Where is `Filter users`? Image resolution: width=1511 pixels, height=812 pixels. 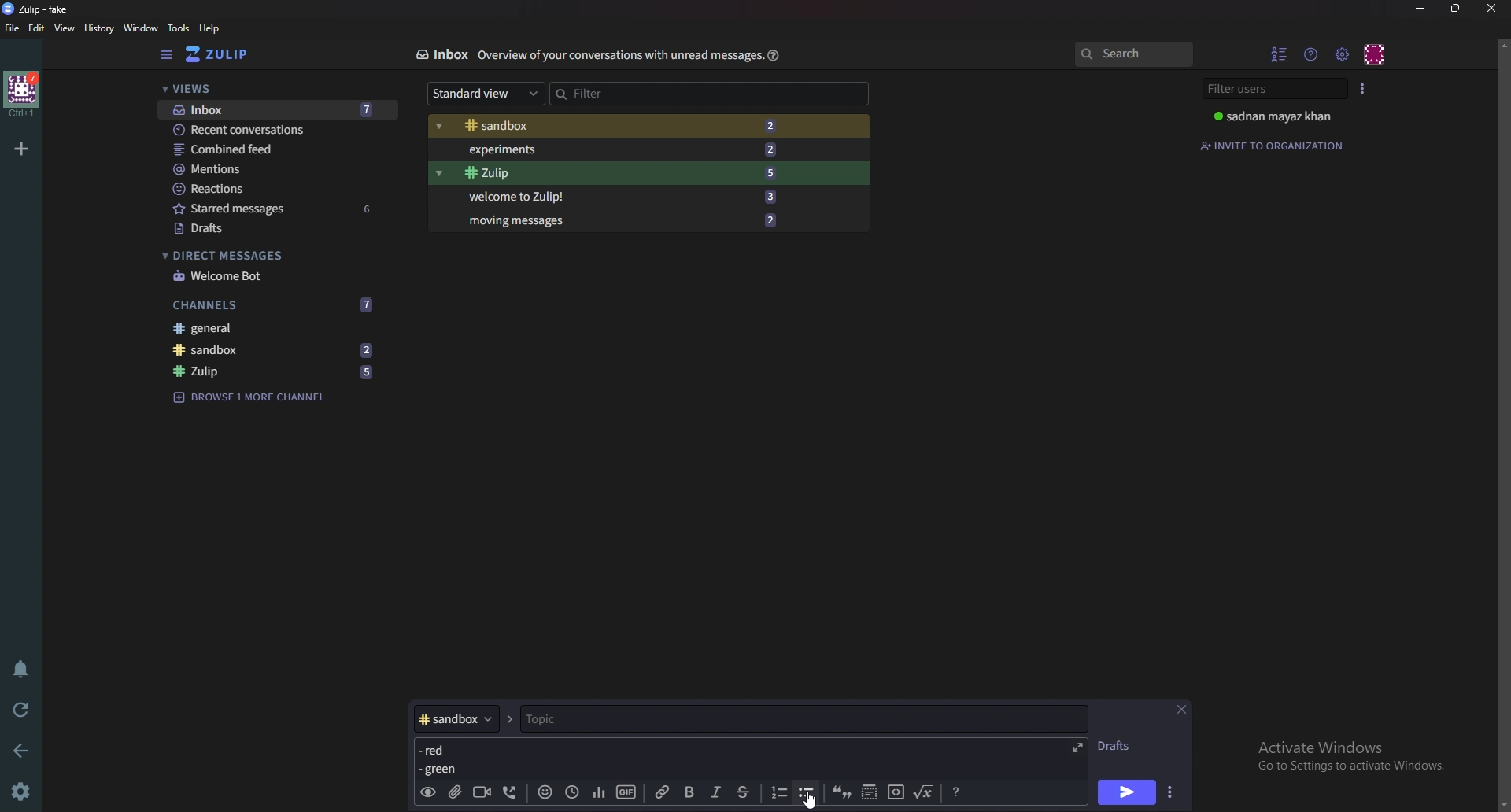
Filter users is located at coordinates (1277, 89).